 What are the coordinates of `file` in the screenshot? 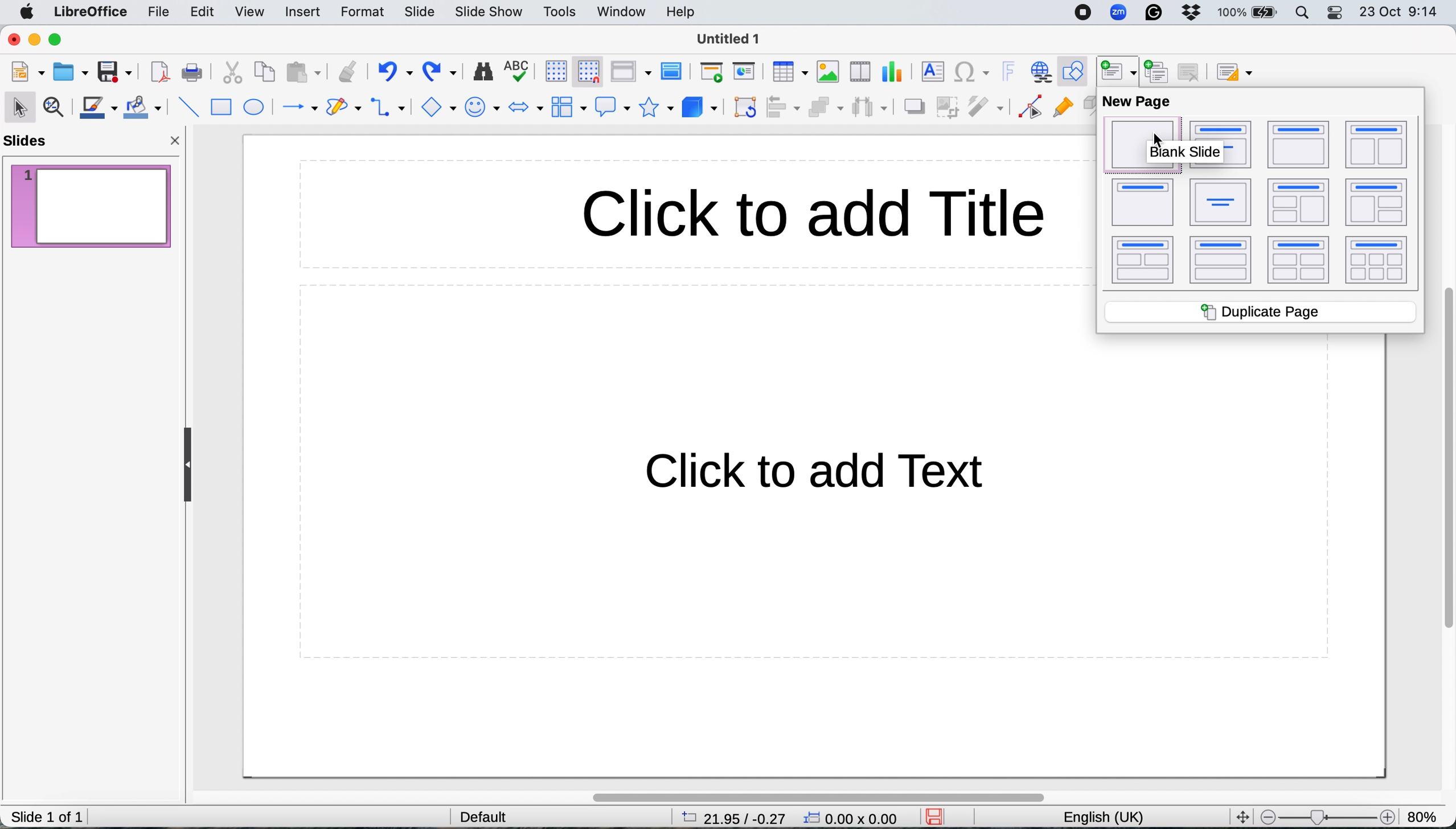 It's located at (156, 13).